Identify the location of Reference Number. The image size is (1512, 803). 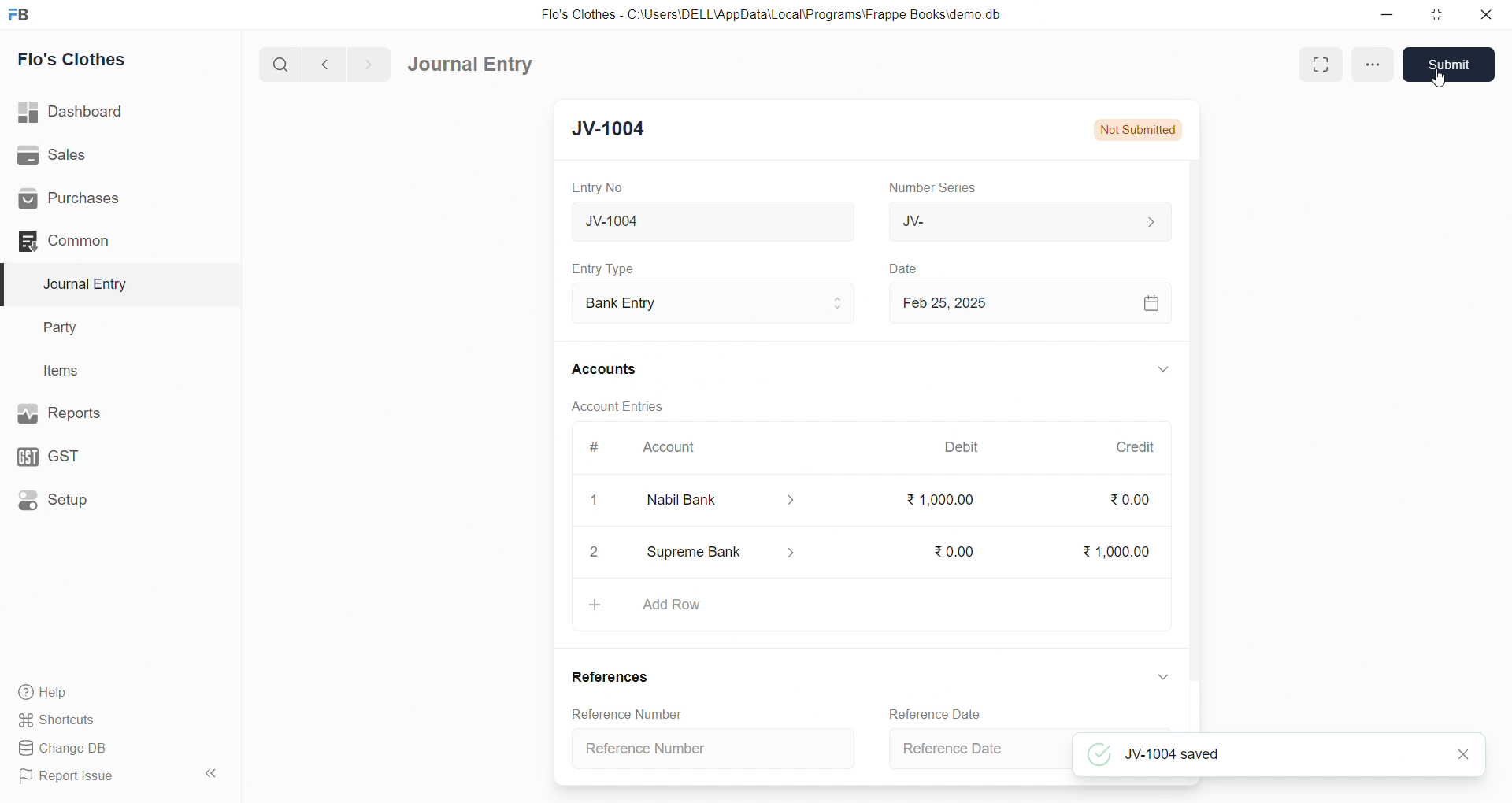
(624, 713).